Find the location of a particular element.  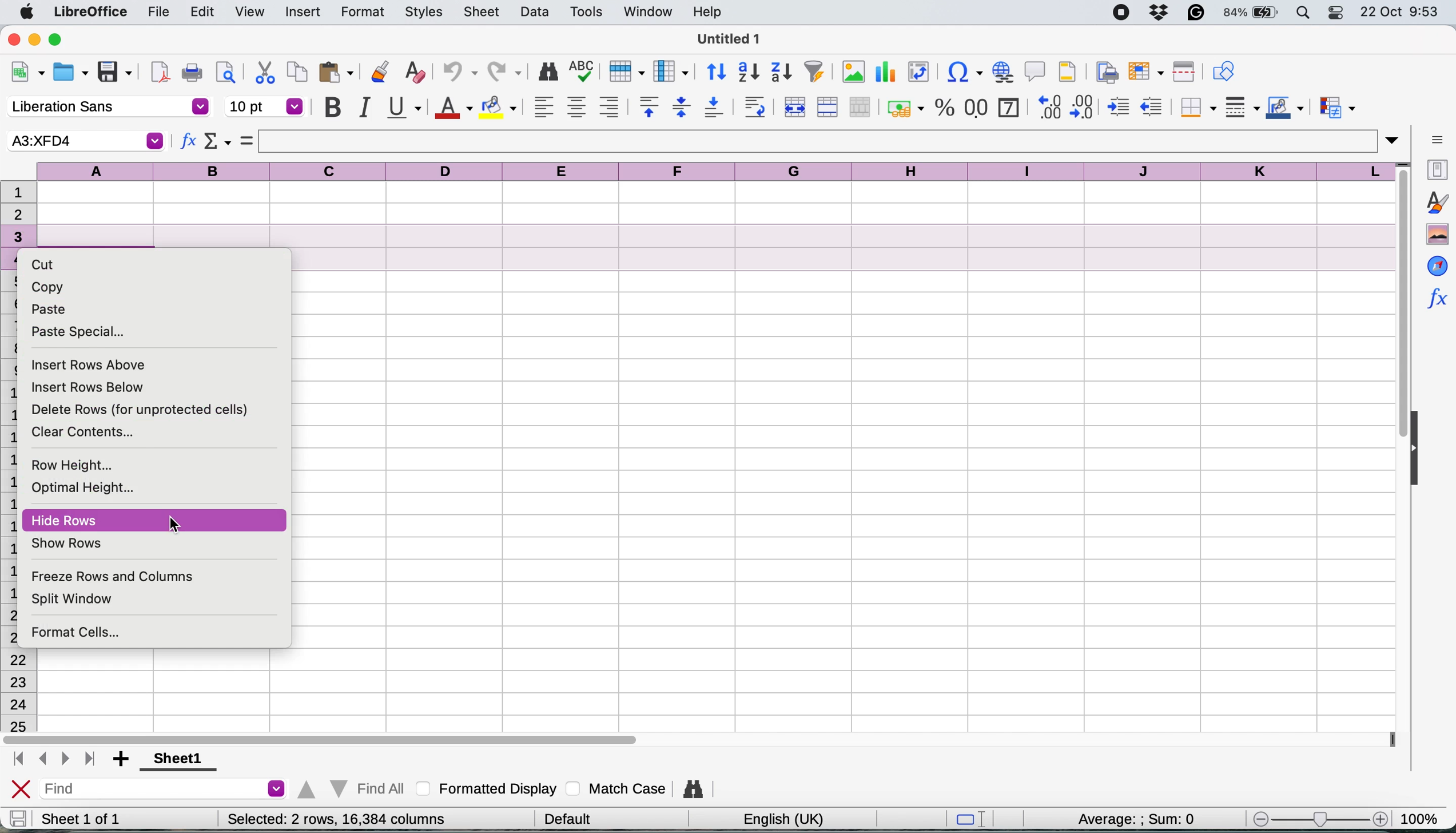

merge and center or unmerge is located at coordinates (793, 105).